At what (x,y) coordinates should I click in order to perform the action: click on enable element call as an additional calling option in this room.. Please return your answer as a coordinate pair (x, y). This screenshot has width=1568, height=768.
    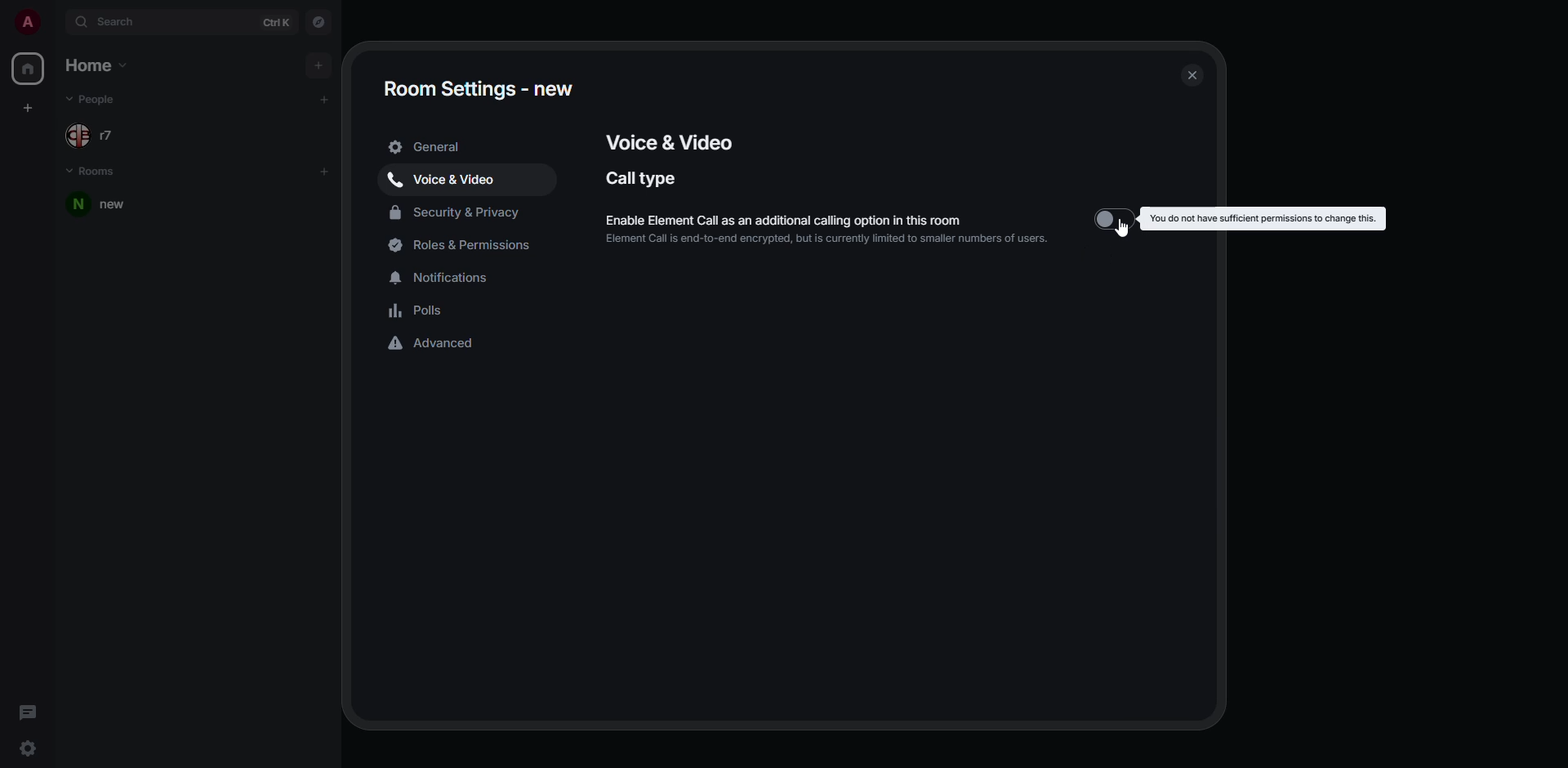
    Looking at the image, I should click on (839, 217).